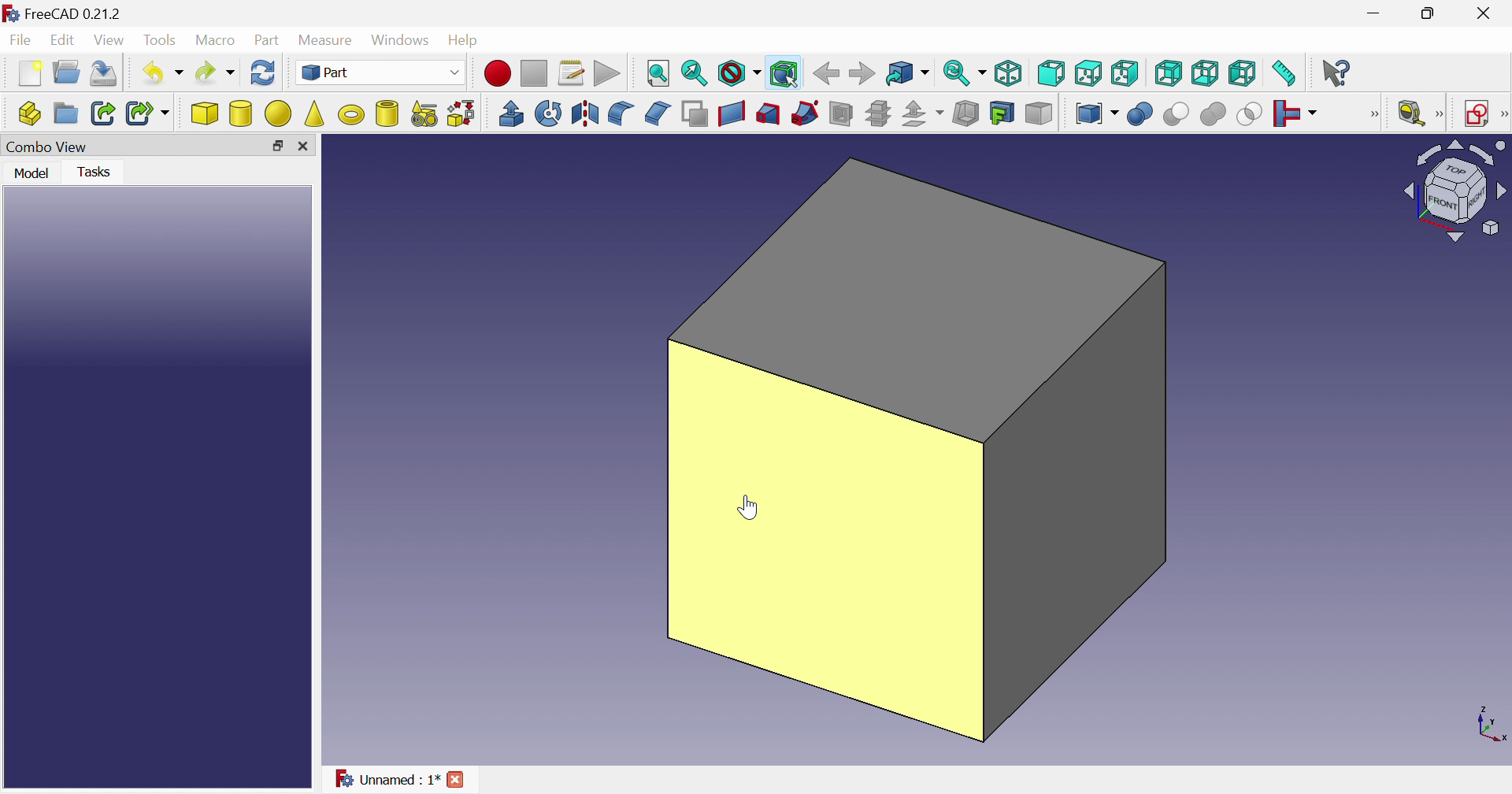  I want to click on Refresh, so click(263, 76).